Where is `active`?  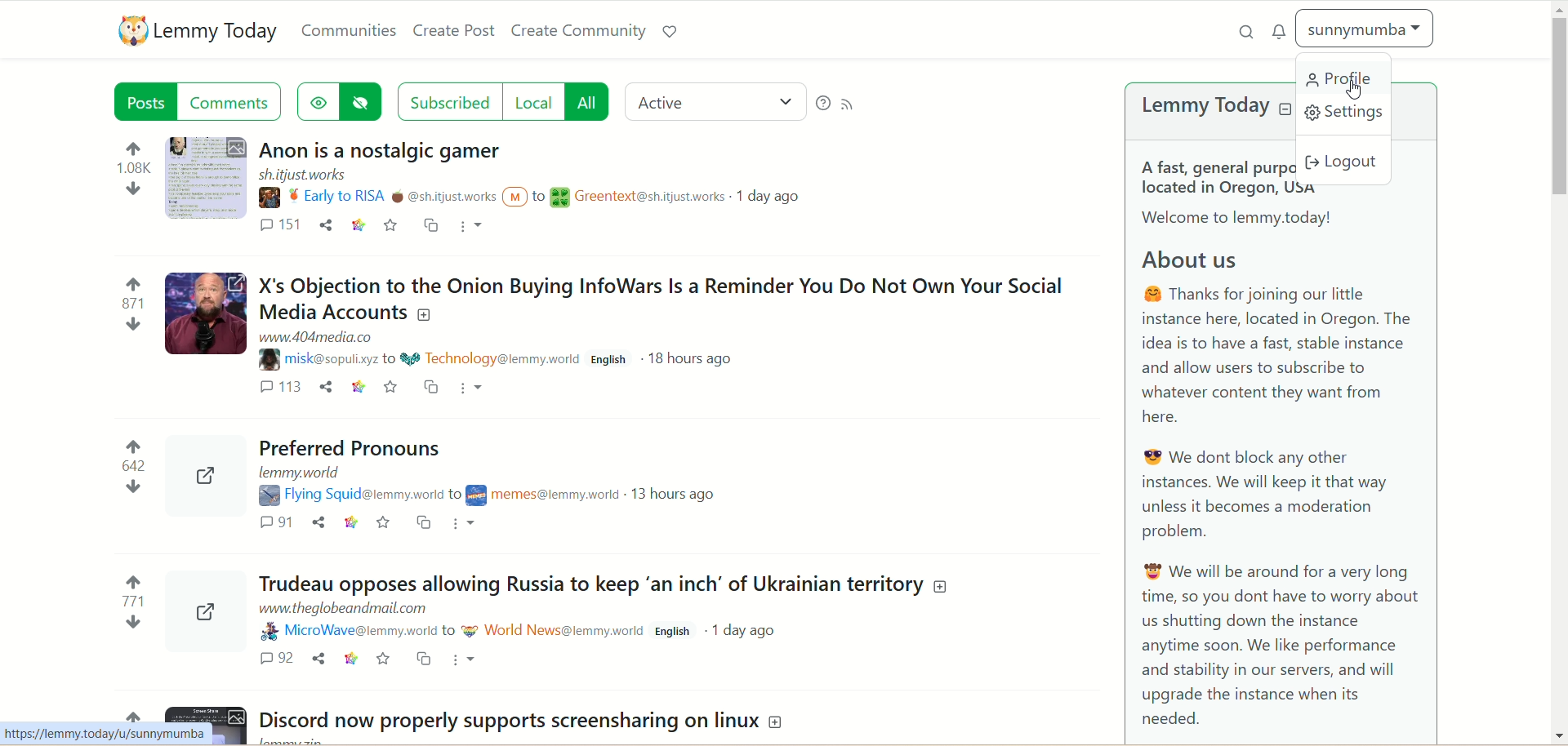
active is located at coordinates (716, 100).